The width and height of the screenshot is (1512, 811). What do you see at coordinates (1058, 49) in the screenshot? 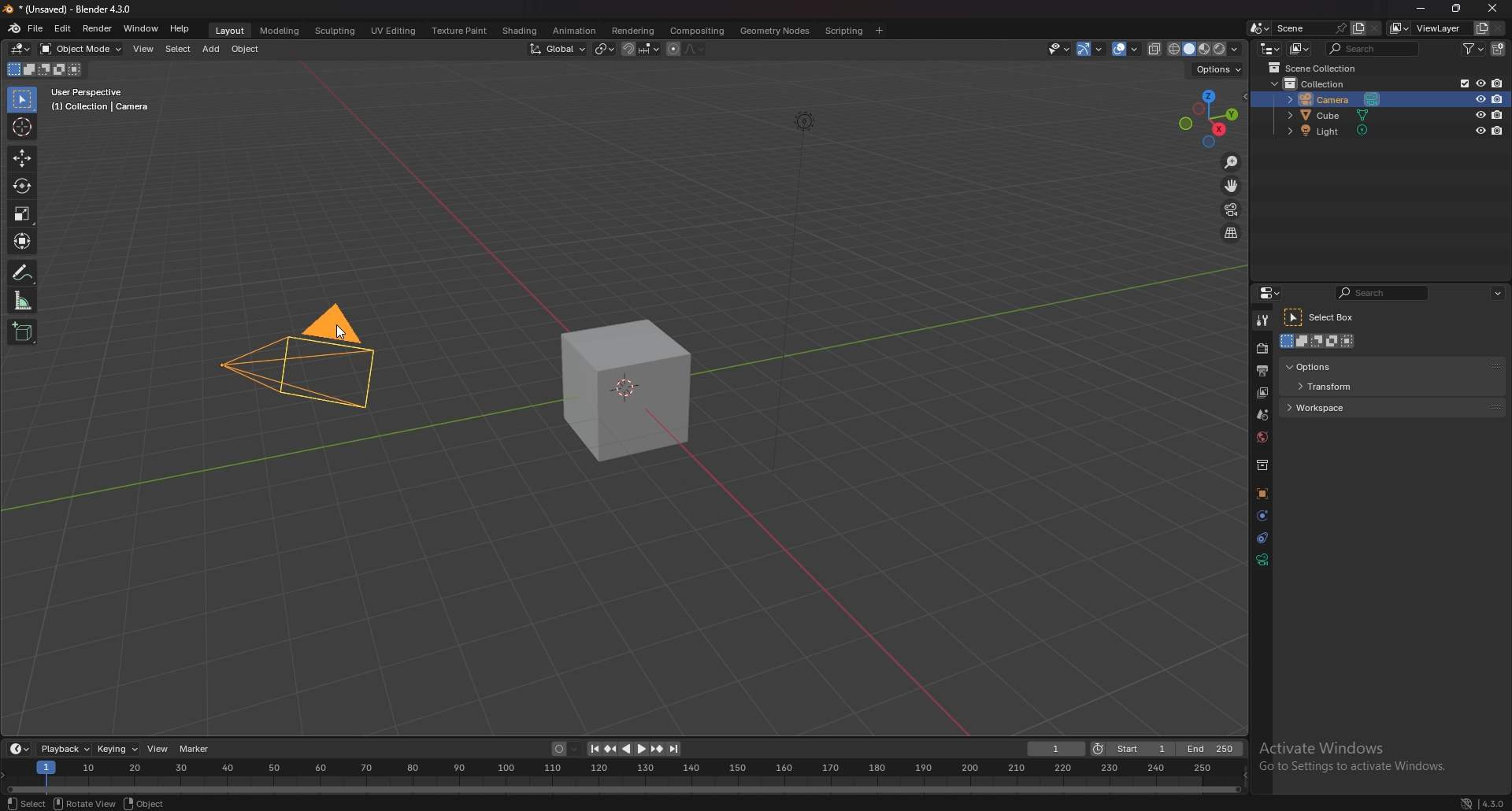
I see `selectibility and visibility` at bounding box center [1058, 49].